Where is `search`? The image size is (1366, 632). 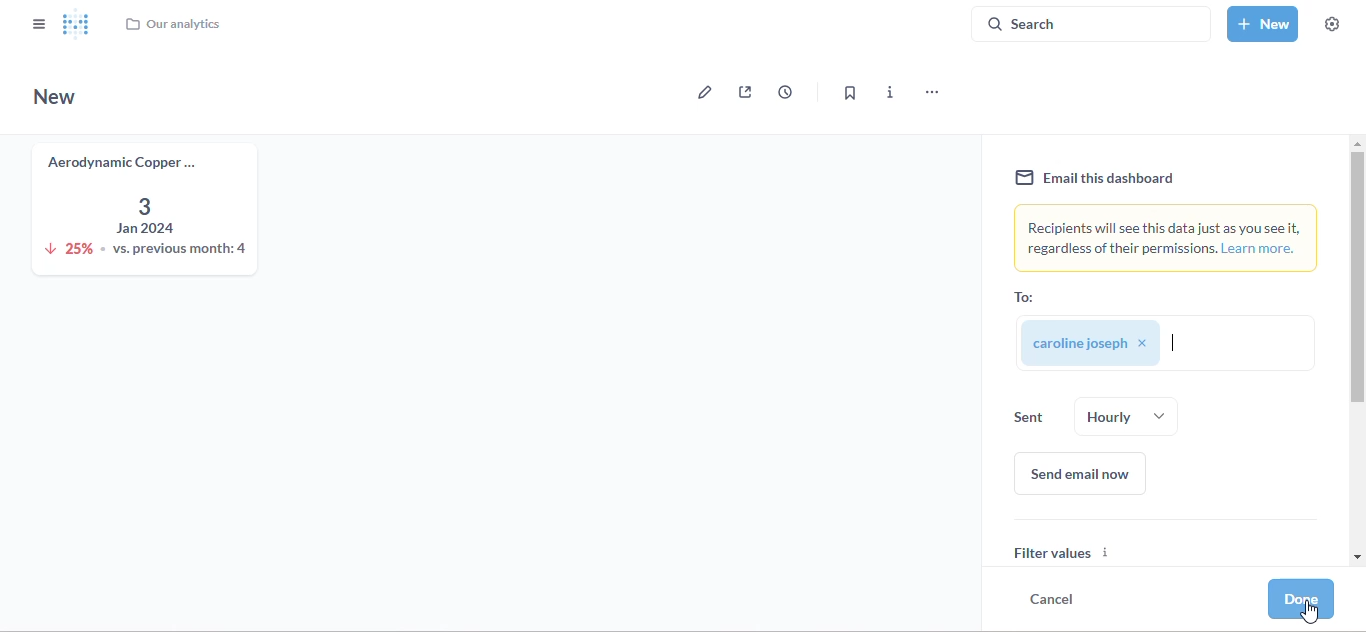 search is located at coordinates (1091, 23).